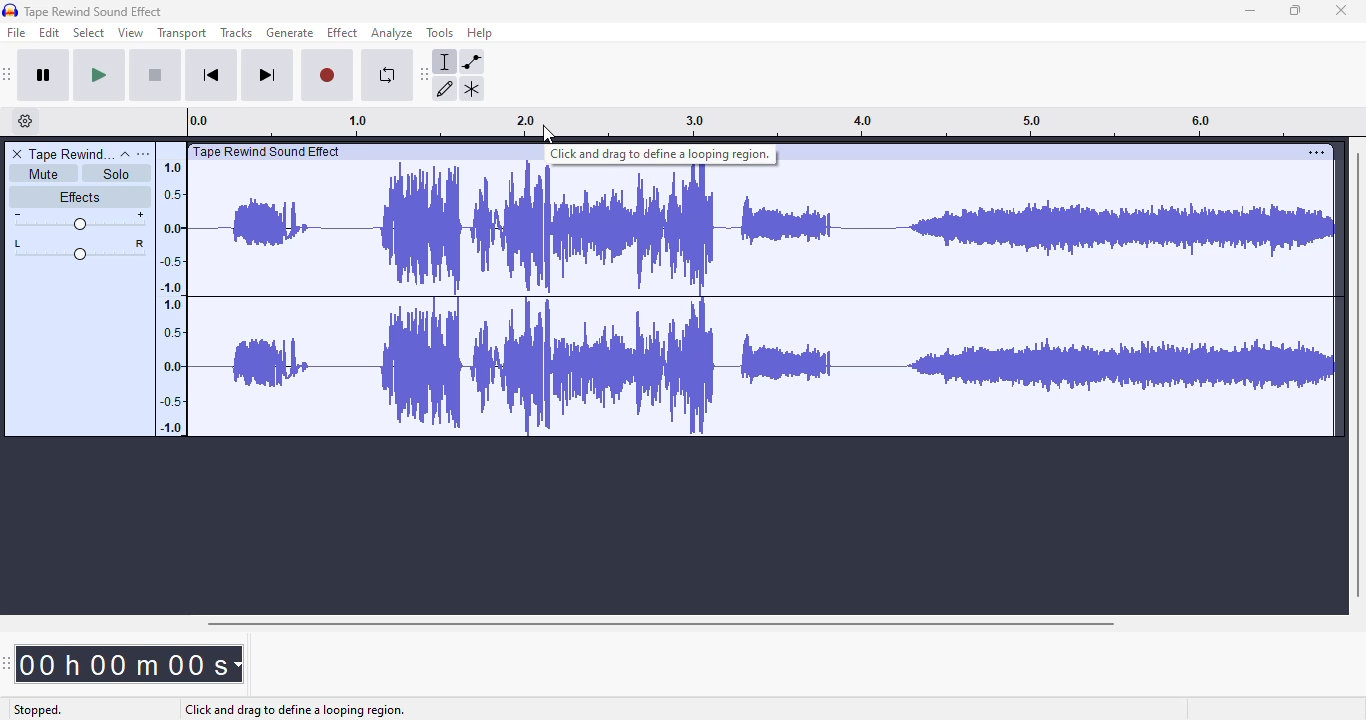 The height and width of the screenshot is (720, 1366). What do you see at coordinates (10, 9) in the screenshot?
I see `logo` at bounding box center [10, 9].